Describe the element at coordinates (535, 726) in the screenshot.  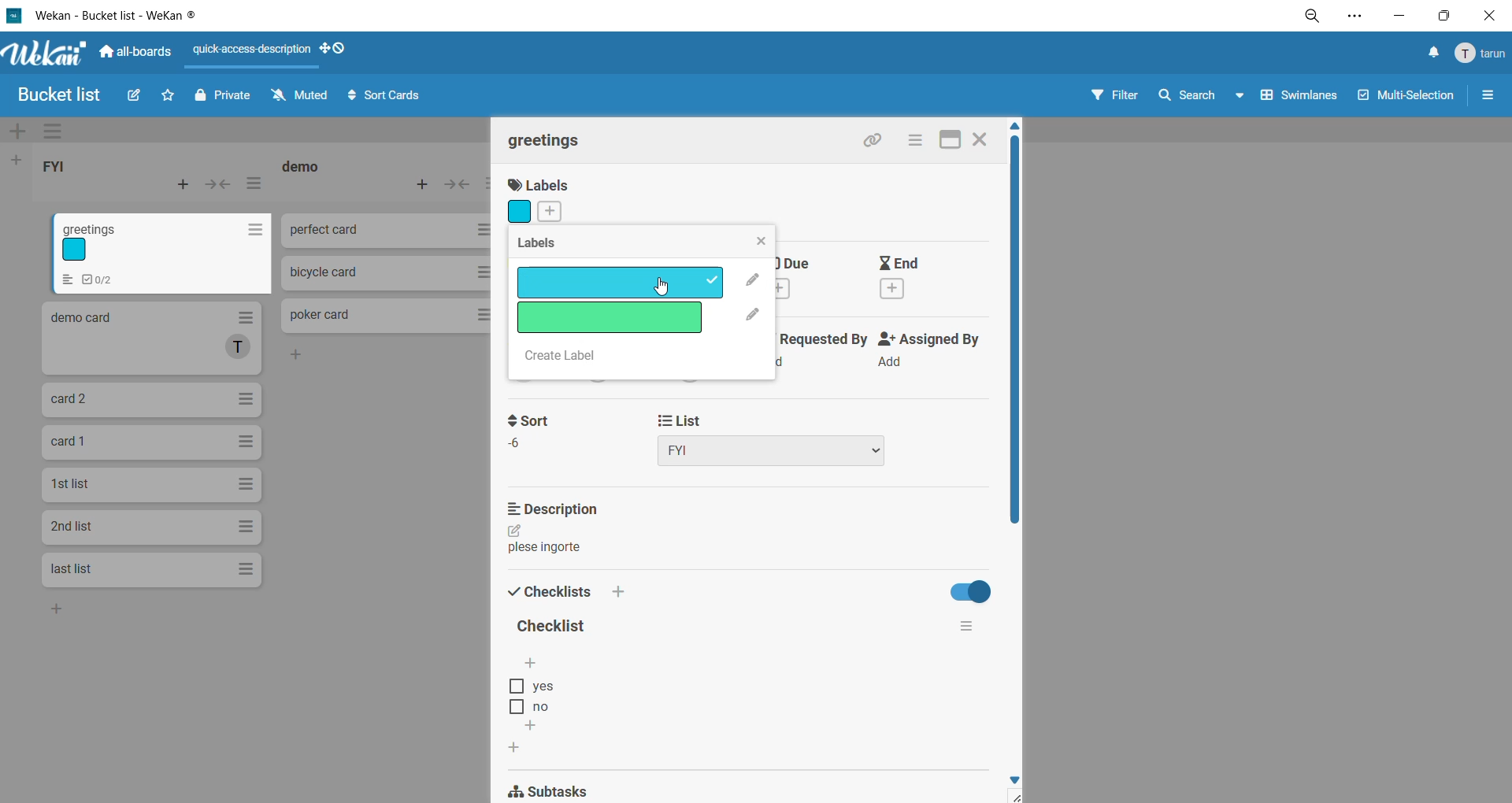
I see `add checklist options` at that location.